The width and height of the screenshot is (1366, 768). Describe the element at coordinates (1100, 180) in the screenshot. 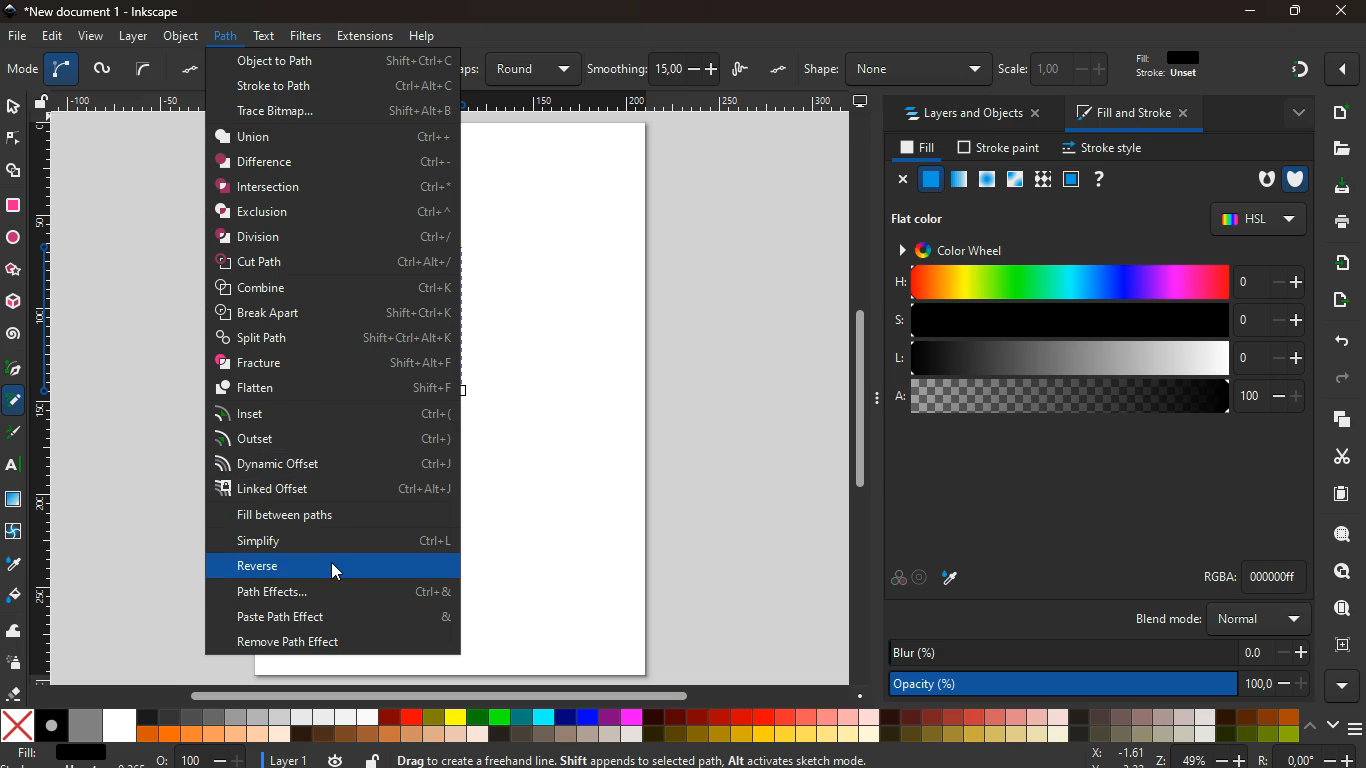

I see `help` at that location.